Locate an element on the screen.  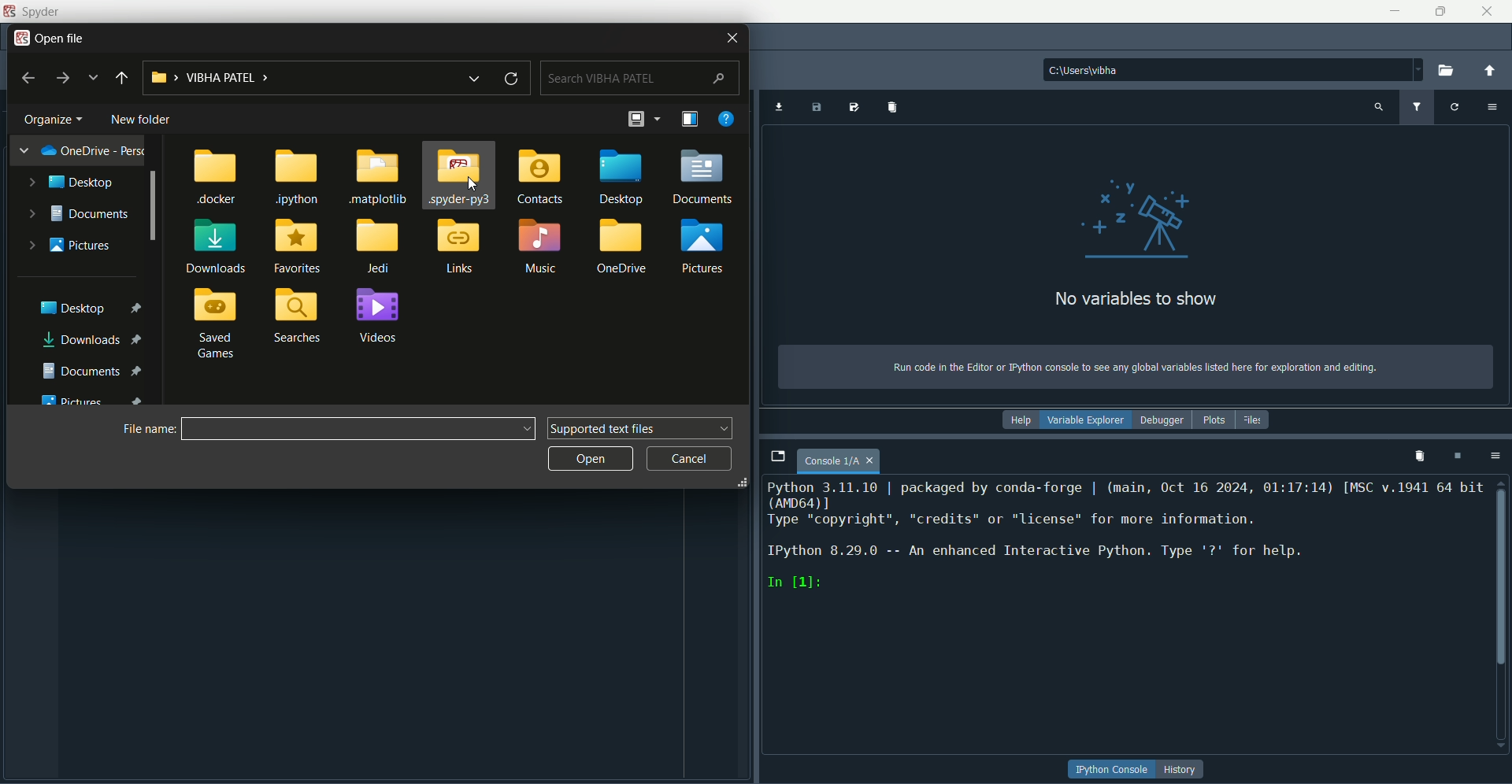
folder is located at coordinates (623, 176).